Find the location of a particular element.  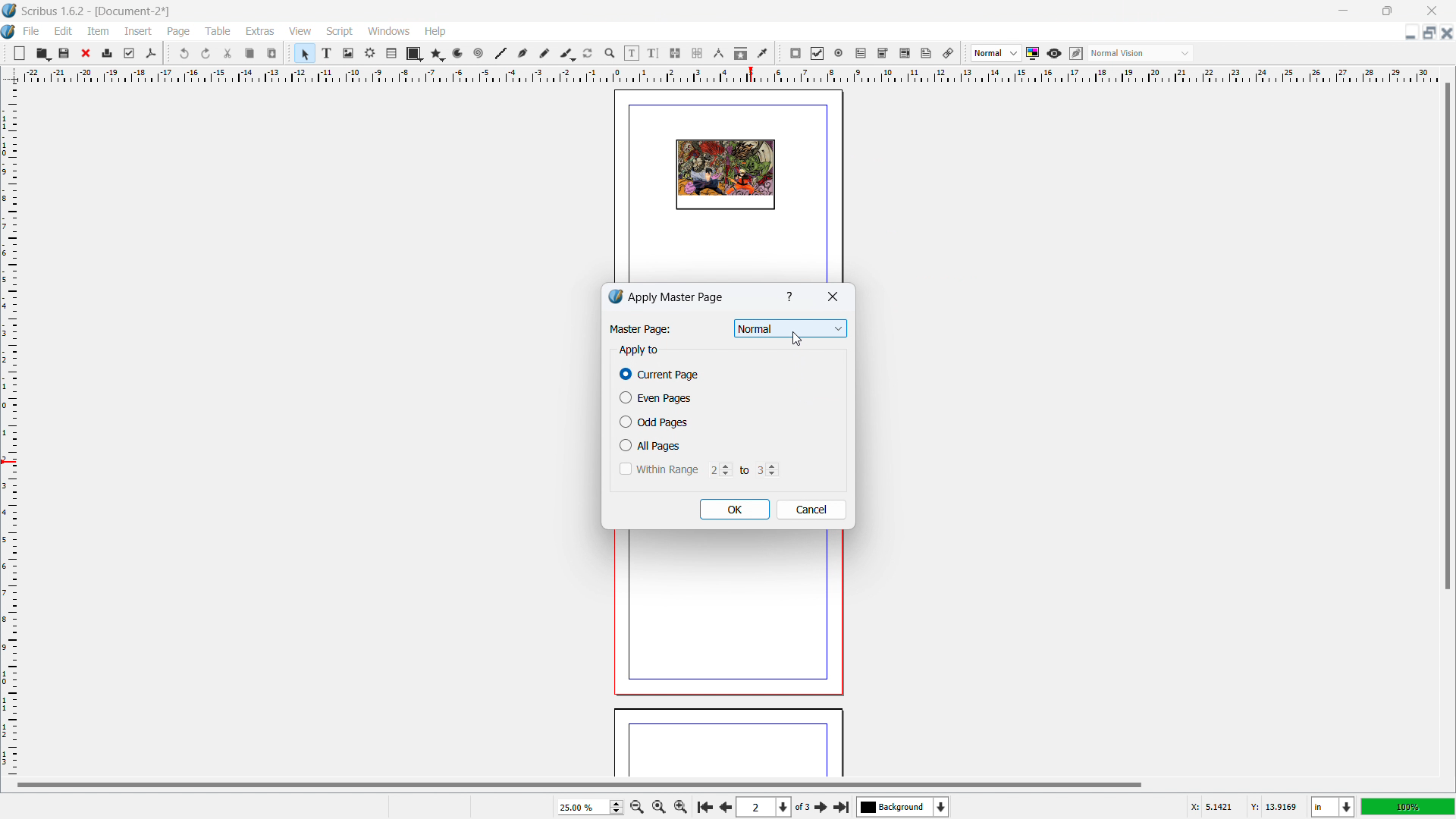

eye dropper is located at coordinates (764, 52).